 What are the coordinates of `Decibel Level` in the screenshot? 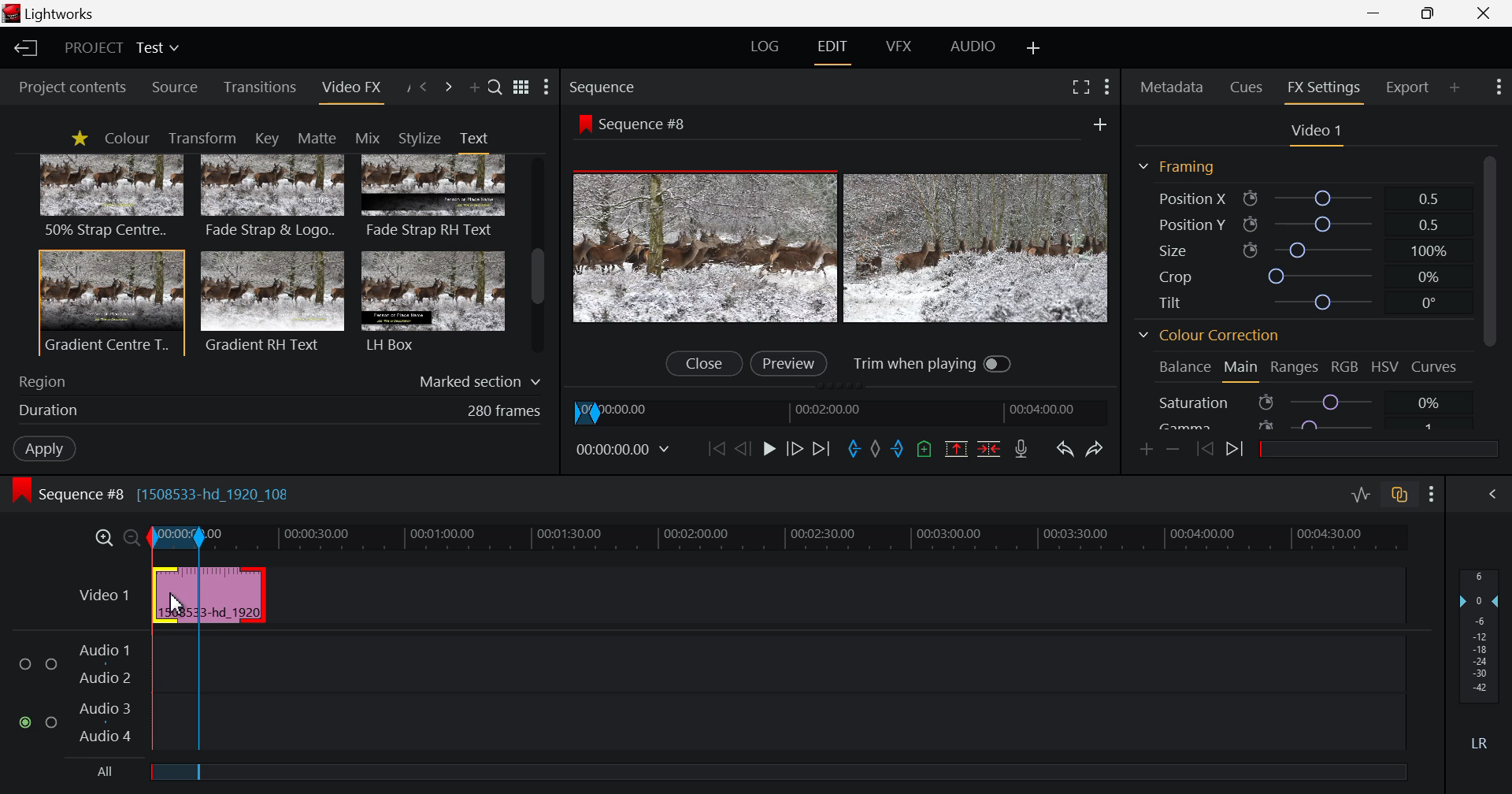 It's located at (1480, 662).